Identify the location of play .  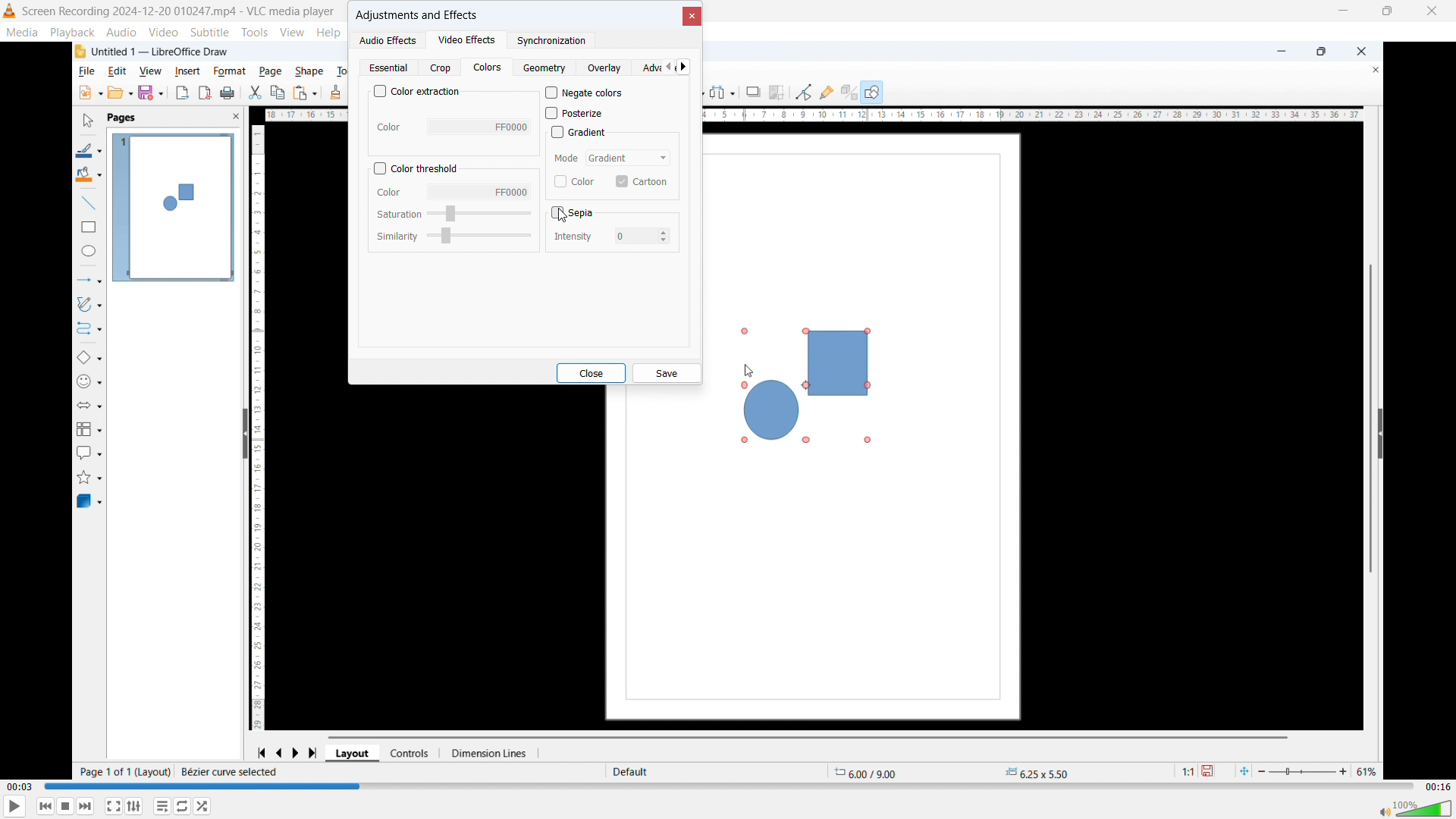
(15, 806).